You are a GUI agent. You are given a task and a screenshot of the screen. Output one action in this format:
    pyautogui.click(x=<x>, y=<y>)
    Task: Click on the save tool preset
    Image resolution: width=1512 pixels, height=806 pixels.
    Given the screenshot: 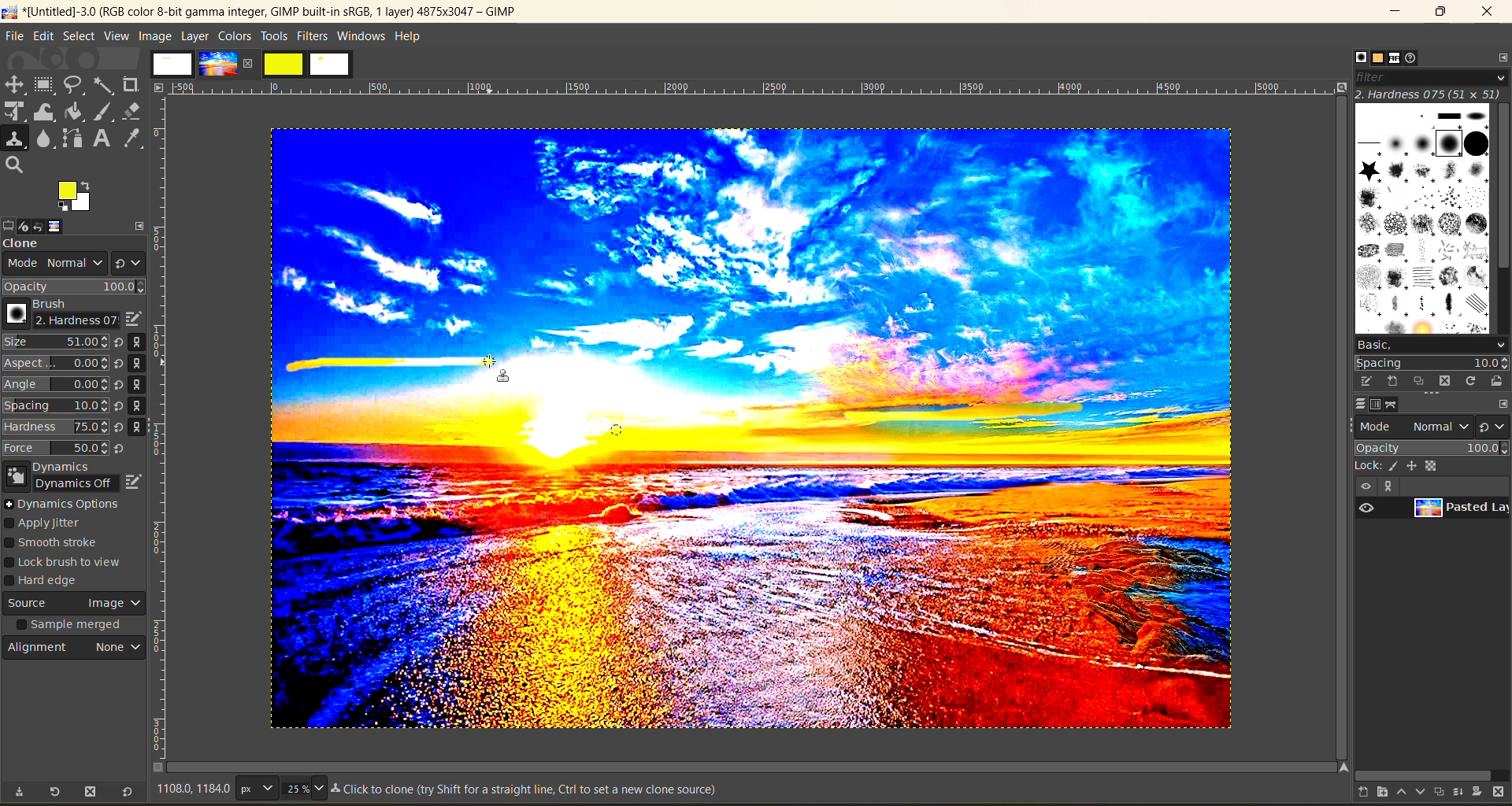 What is the action you would take?
    pyautogui.click(x=18, y=792)
    